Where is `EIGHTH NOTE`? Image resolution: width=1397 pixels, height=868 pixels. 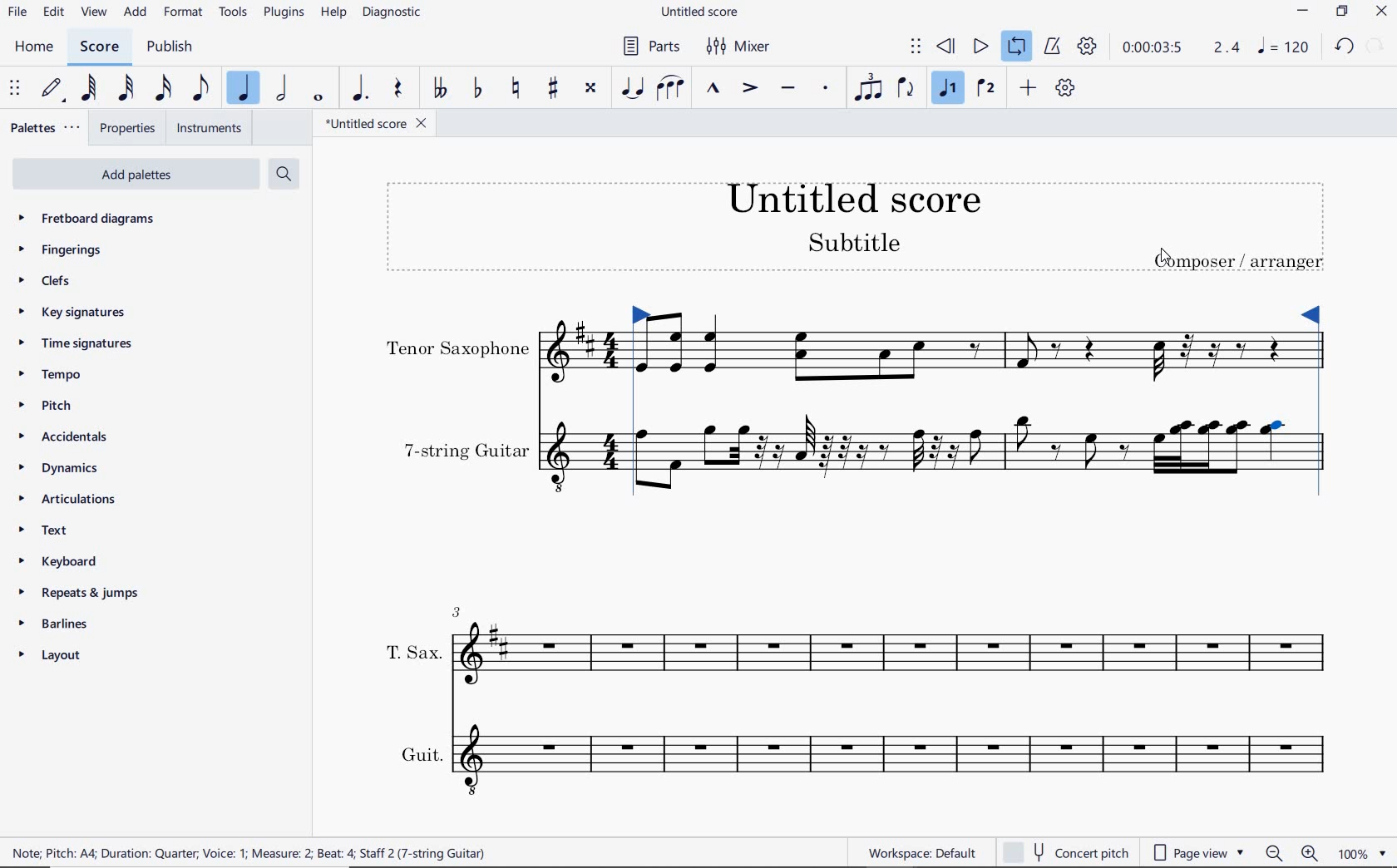 EIGHTH NOTE is located at coordinates (200, 89).